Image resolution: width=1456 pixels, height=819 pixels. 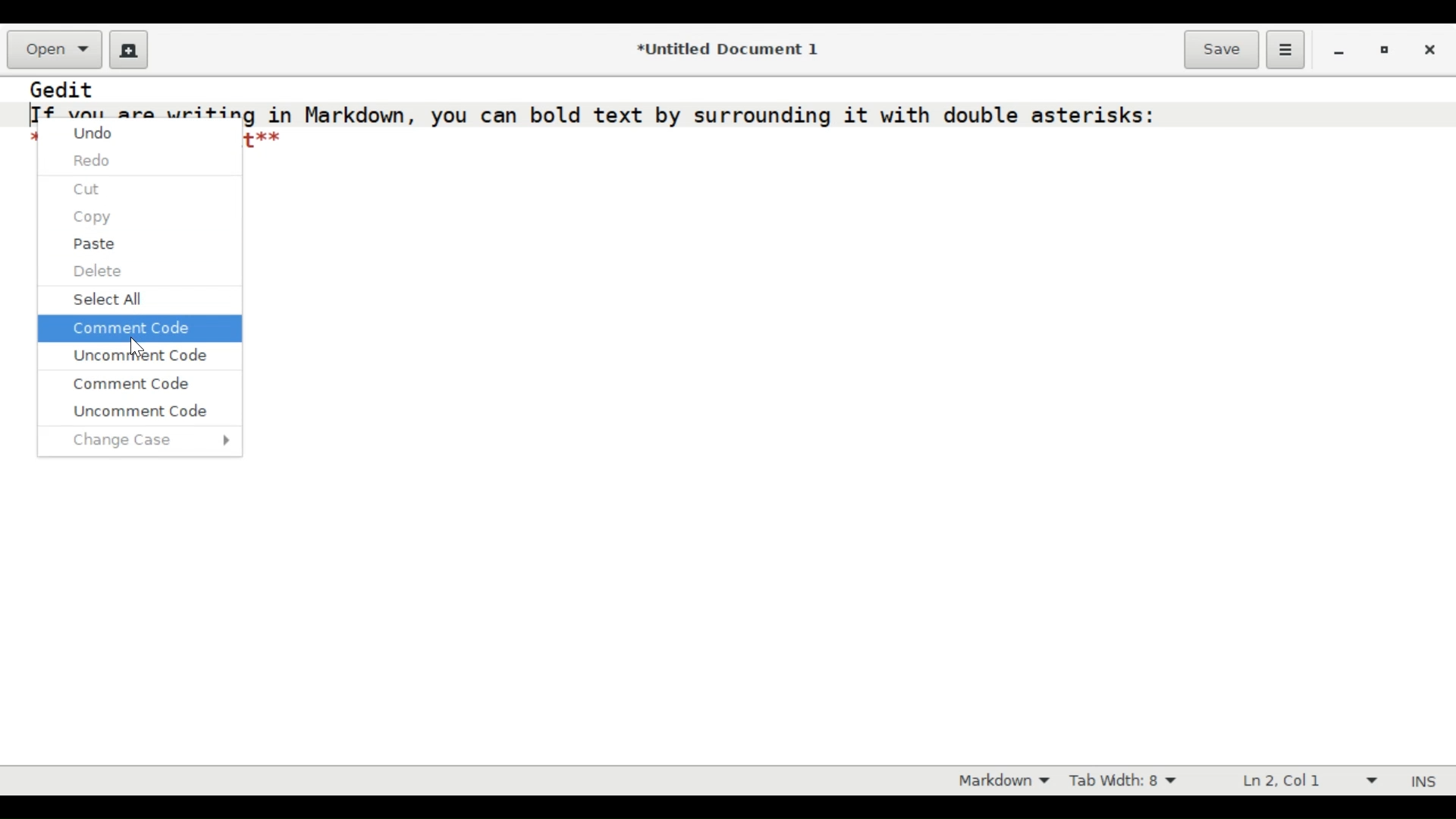 I want to click on Close, so click(x=1431, y=50).